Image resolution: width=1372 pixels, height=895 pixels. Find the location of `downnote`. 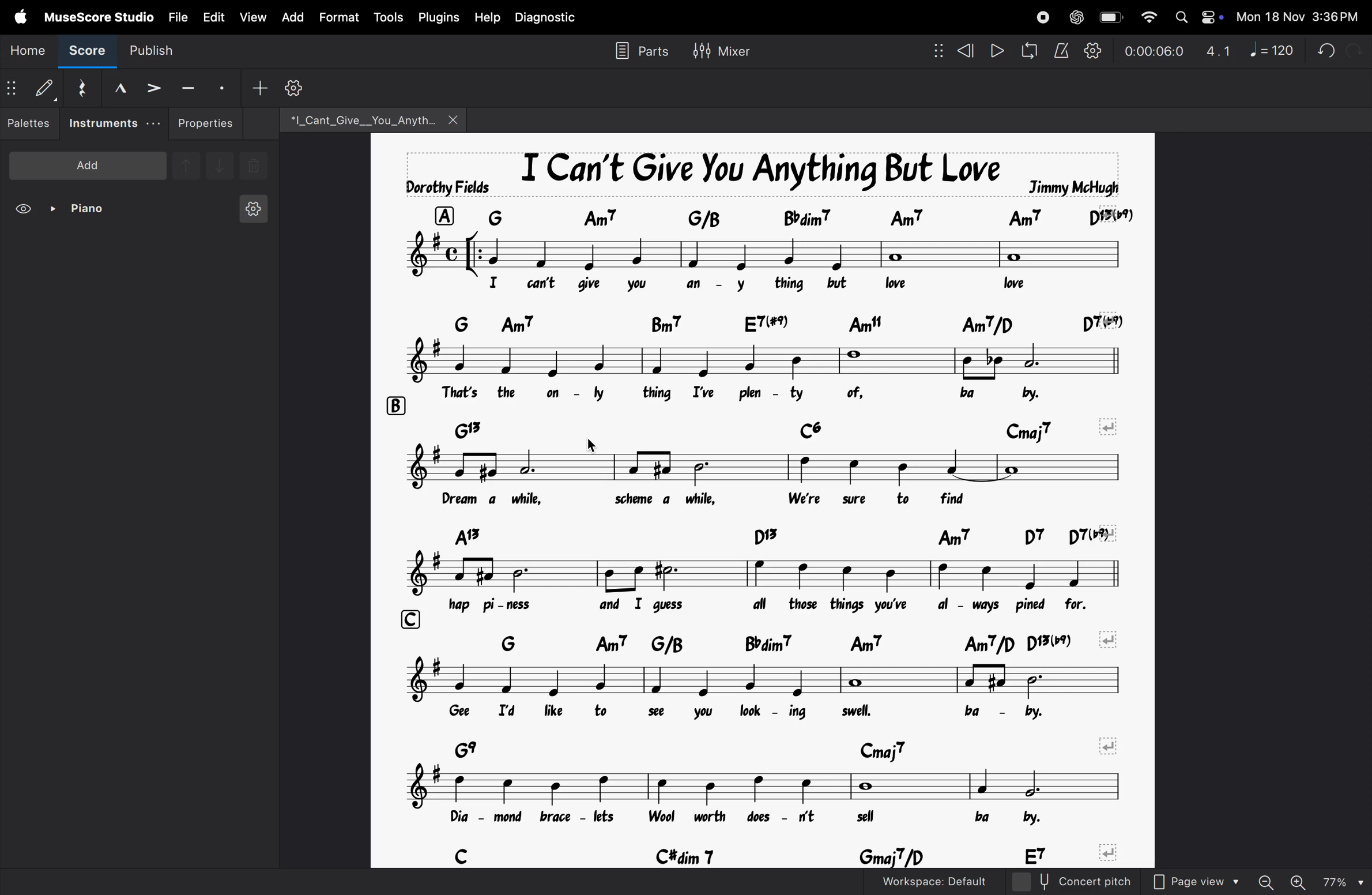

downnote is located at coordinates (218, 164).